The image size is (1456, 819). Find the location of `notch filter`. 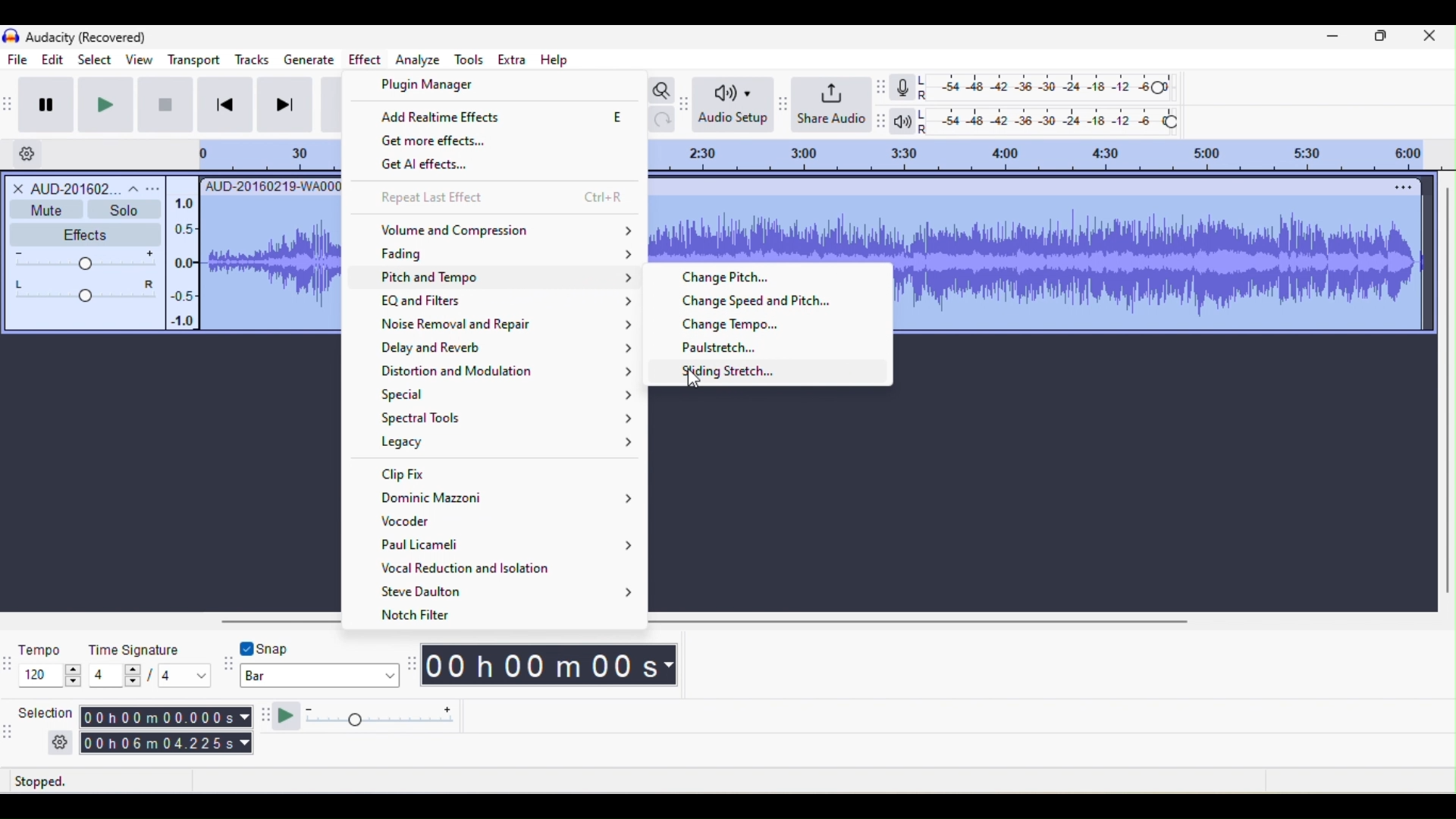

notch filter is located at coordinates (440, 616).